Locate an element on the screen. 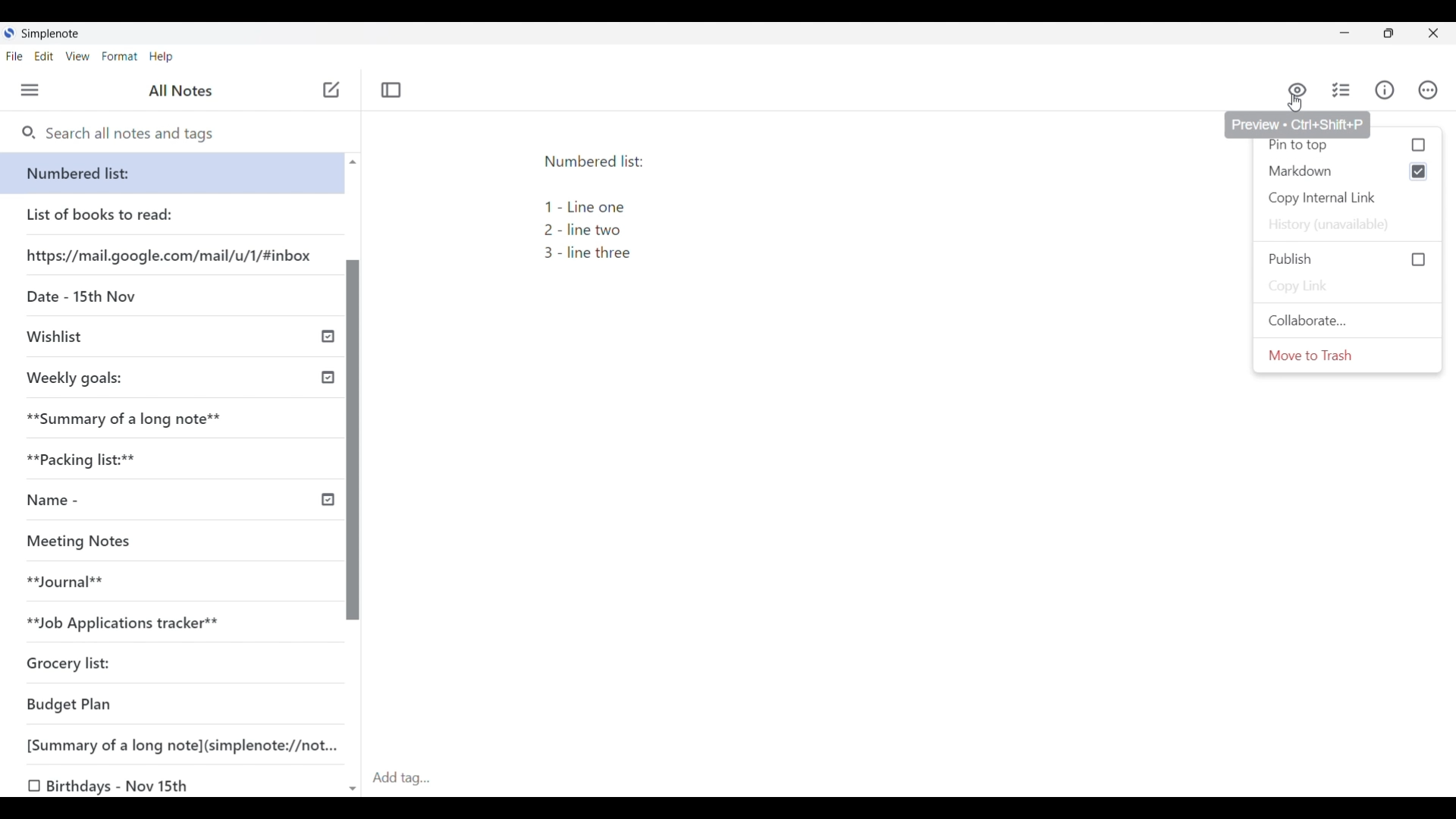 The width and height of the screenshot is (1456, 819). pin to top is located at coordinates (1304, 147).